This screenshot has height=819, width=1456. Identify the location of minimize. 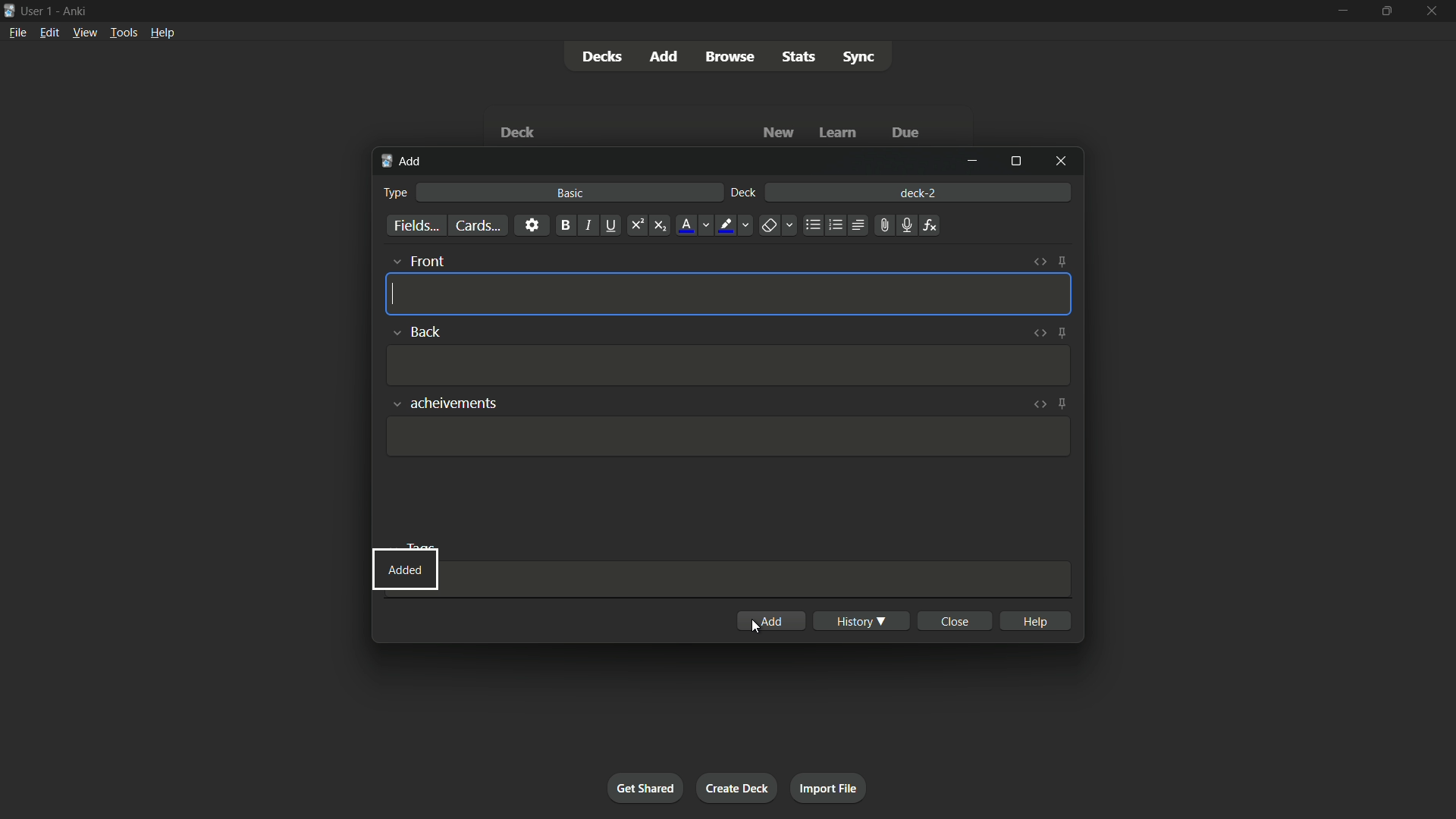
(972, 162).